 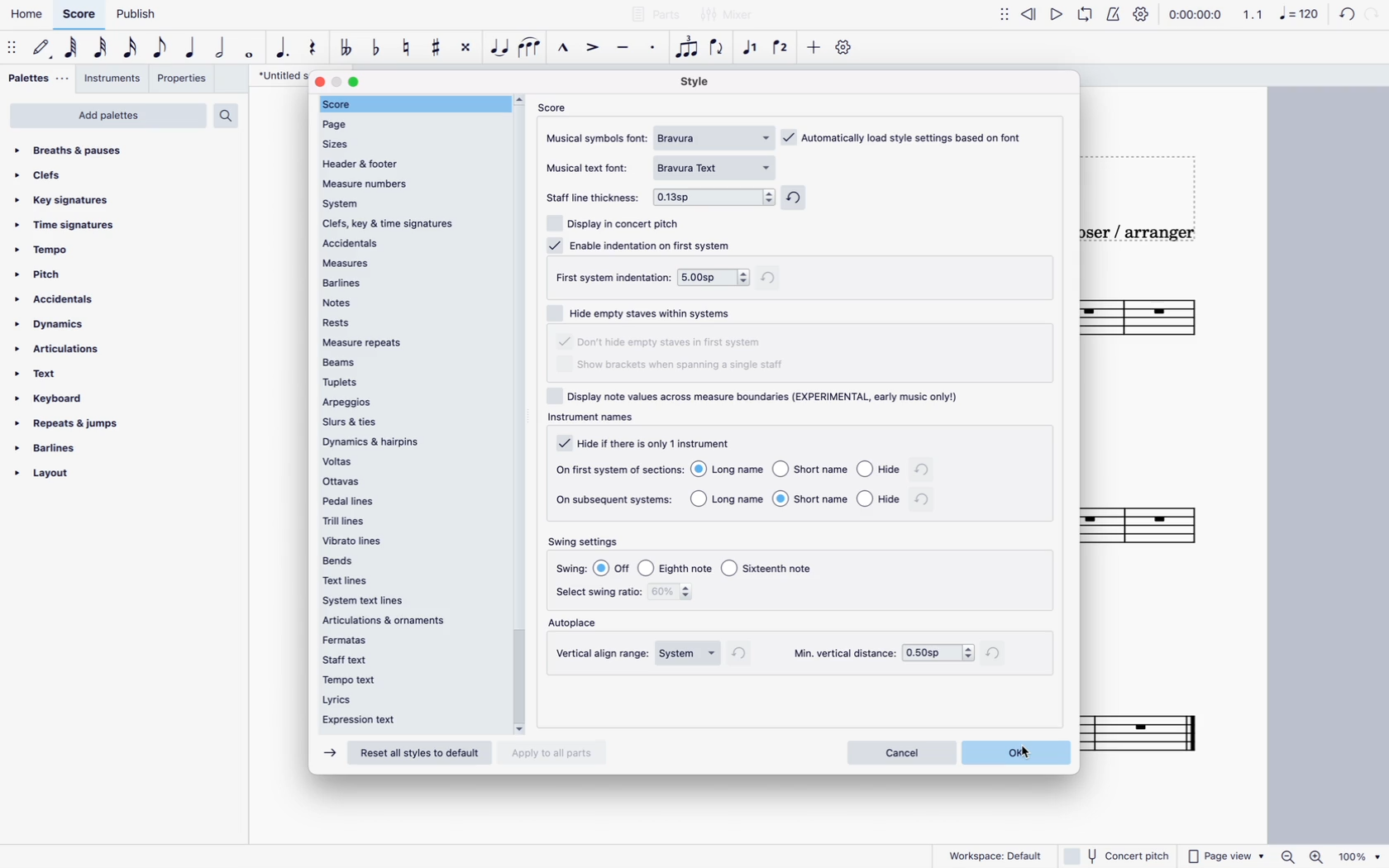 What do you see at coordinates (413, 243) in the screenshot?
I see `accidentals` at bounding box center [413, 243].